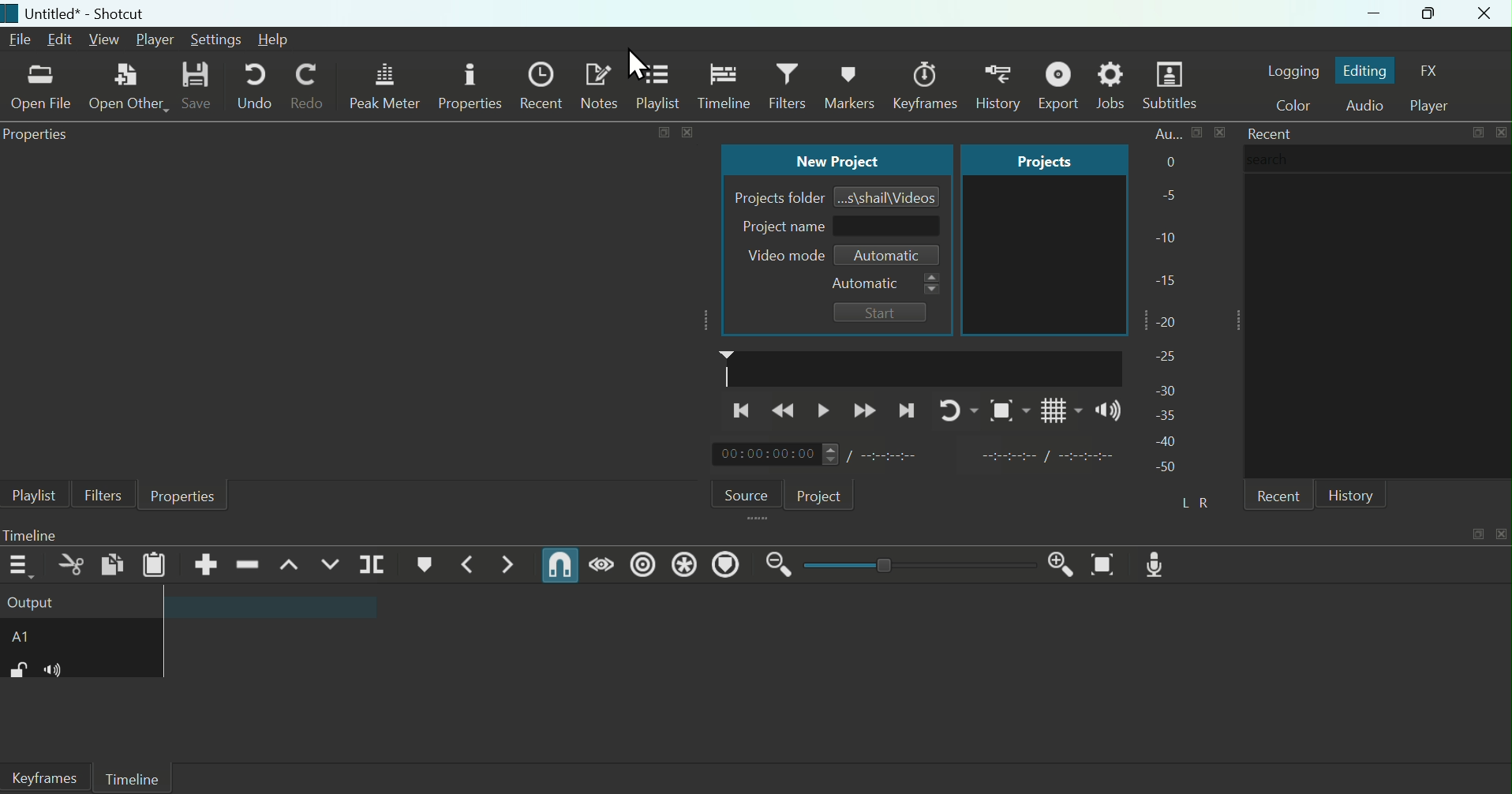 The width and height of the screenshot is (1512, 794). What do you see at coordinates (1289, 106) in the screenshot?
I see `Color` at bounding box center [1289, 106].